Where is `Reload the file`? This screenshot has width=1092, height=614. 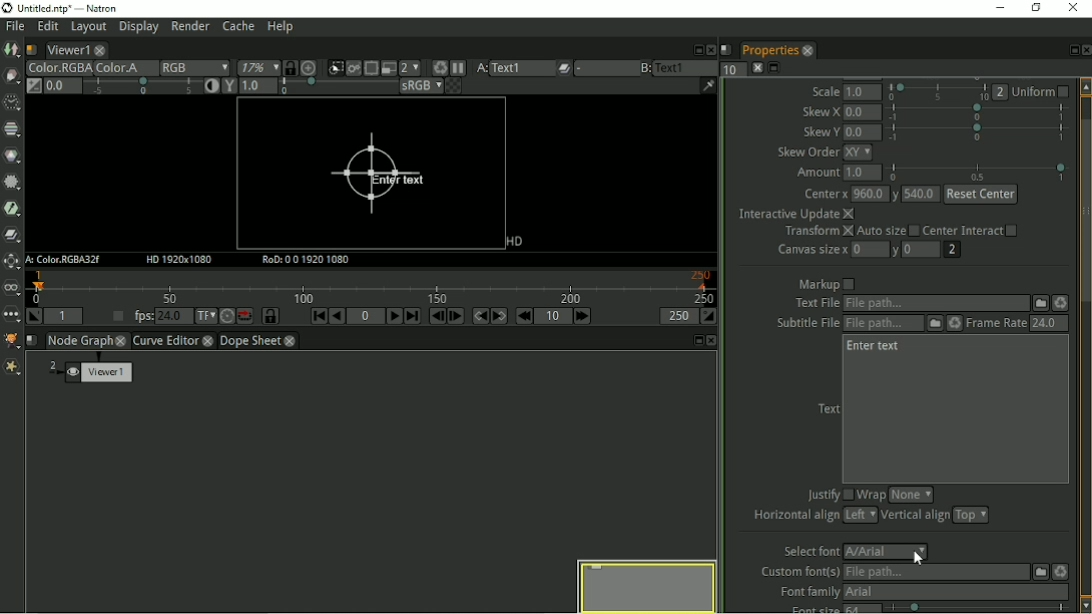 Reload the file is located at coordinates (953, 324).